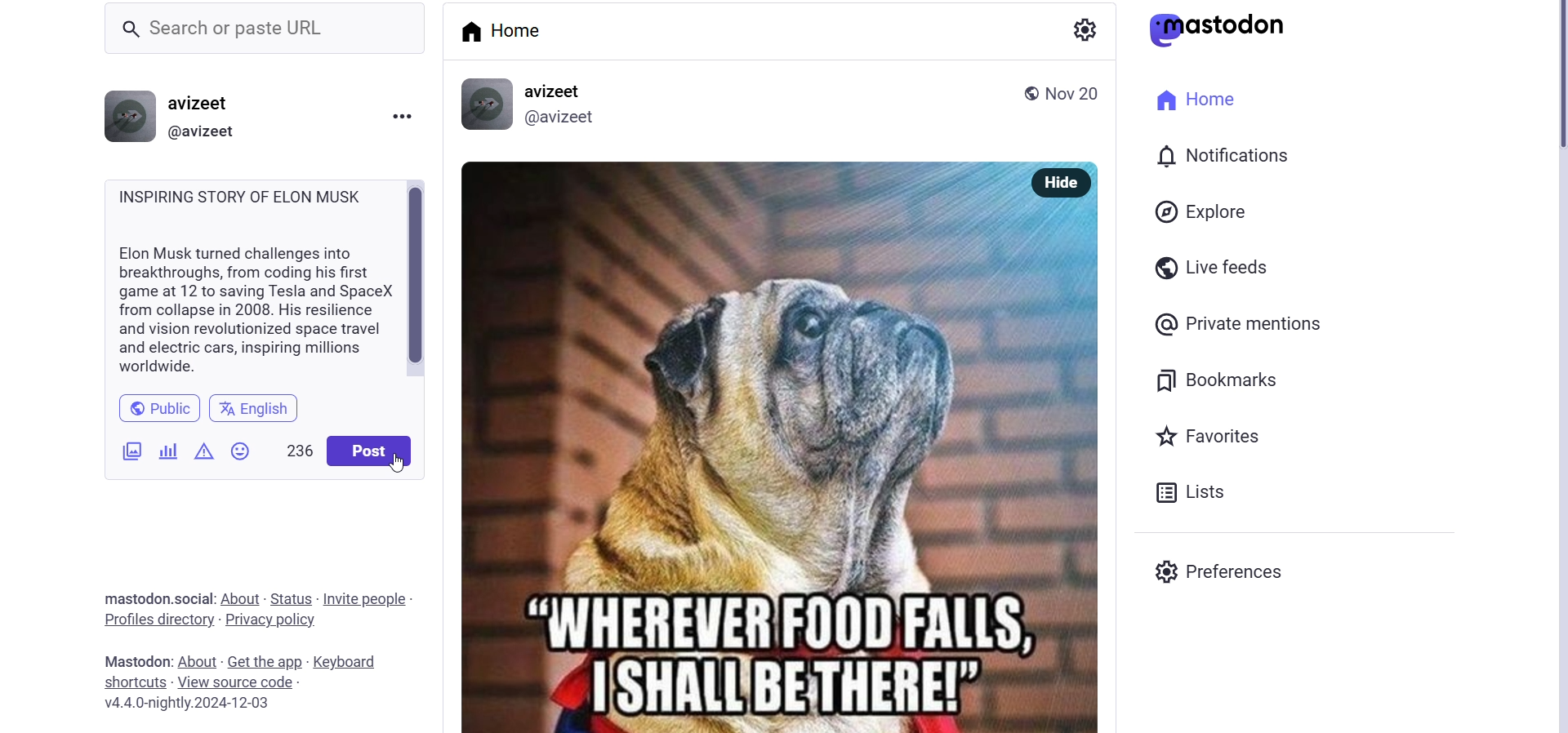  Describe the element at coordinates (204, 130) in the screenshot. I see `@avizeet` at that location.